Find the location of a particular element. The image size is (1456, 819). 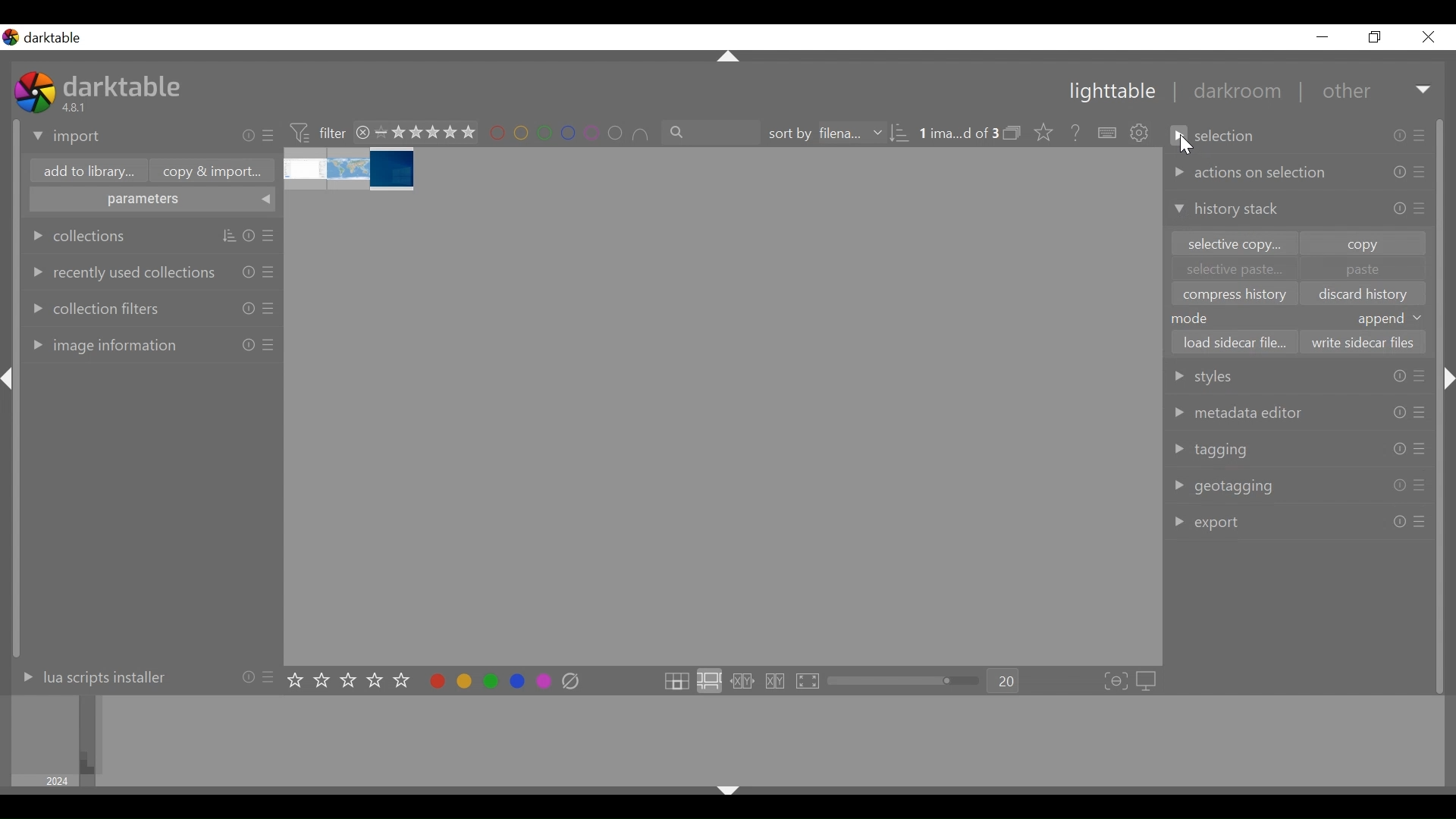

style is located at coordinates (1222, 375).